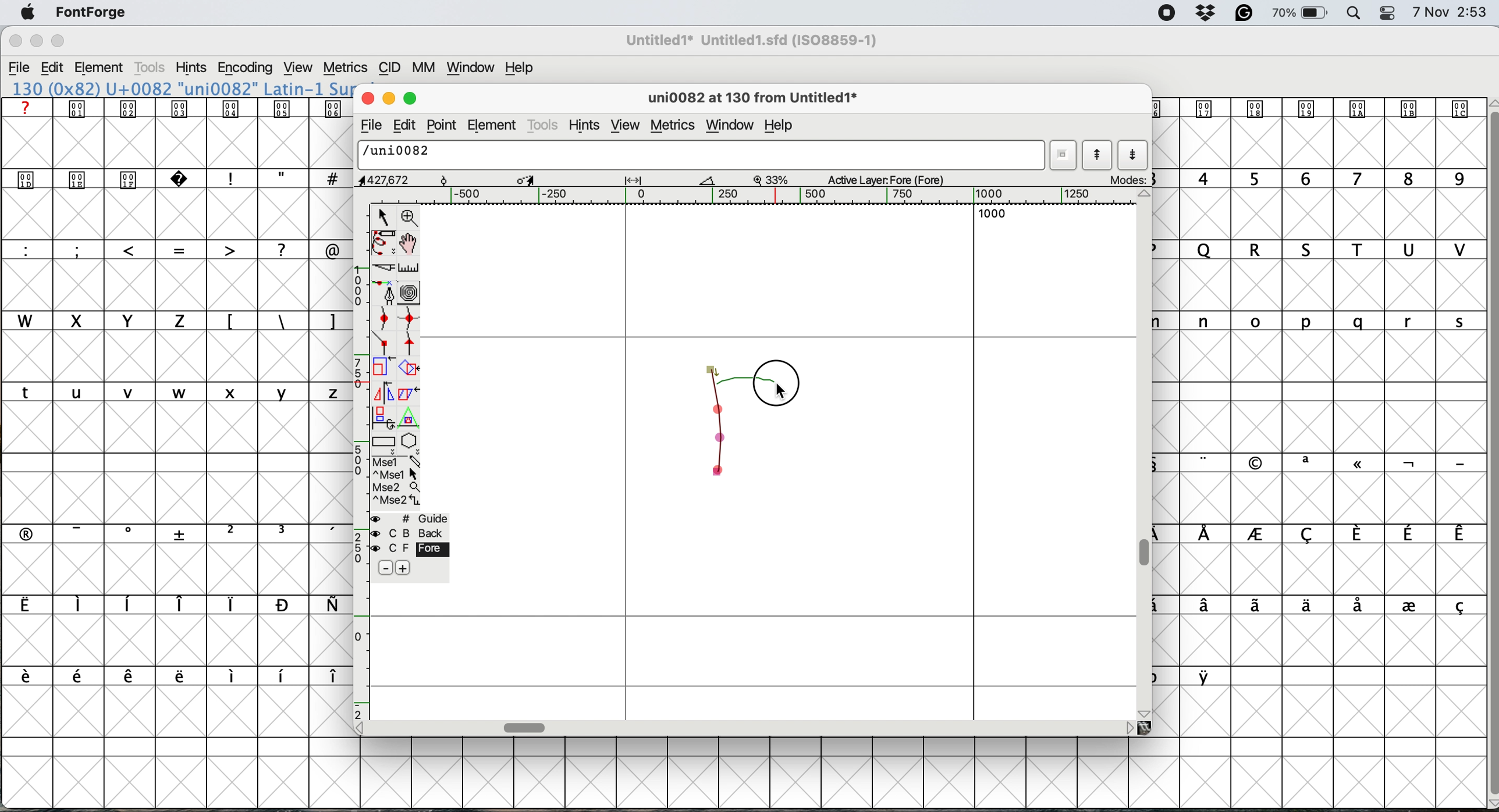 The height and width of the screenshot is (812, 1499). Describe the element at coordinates (759, 99) in the screenshot. I see `glyph details` at that location.